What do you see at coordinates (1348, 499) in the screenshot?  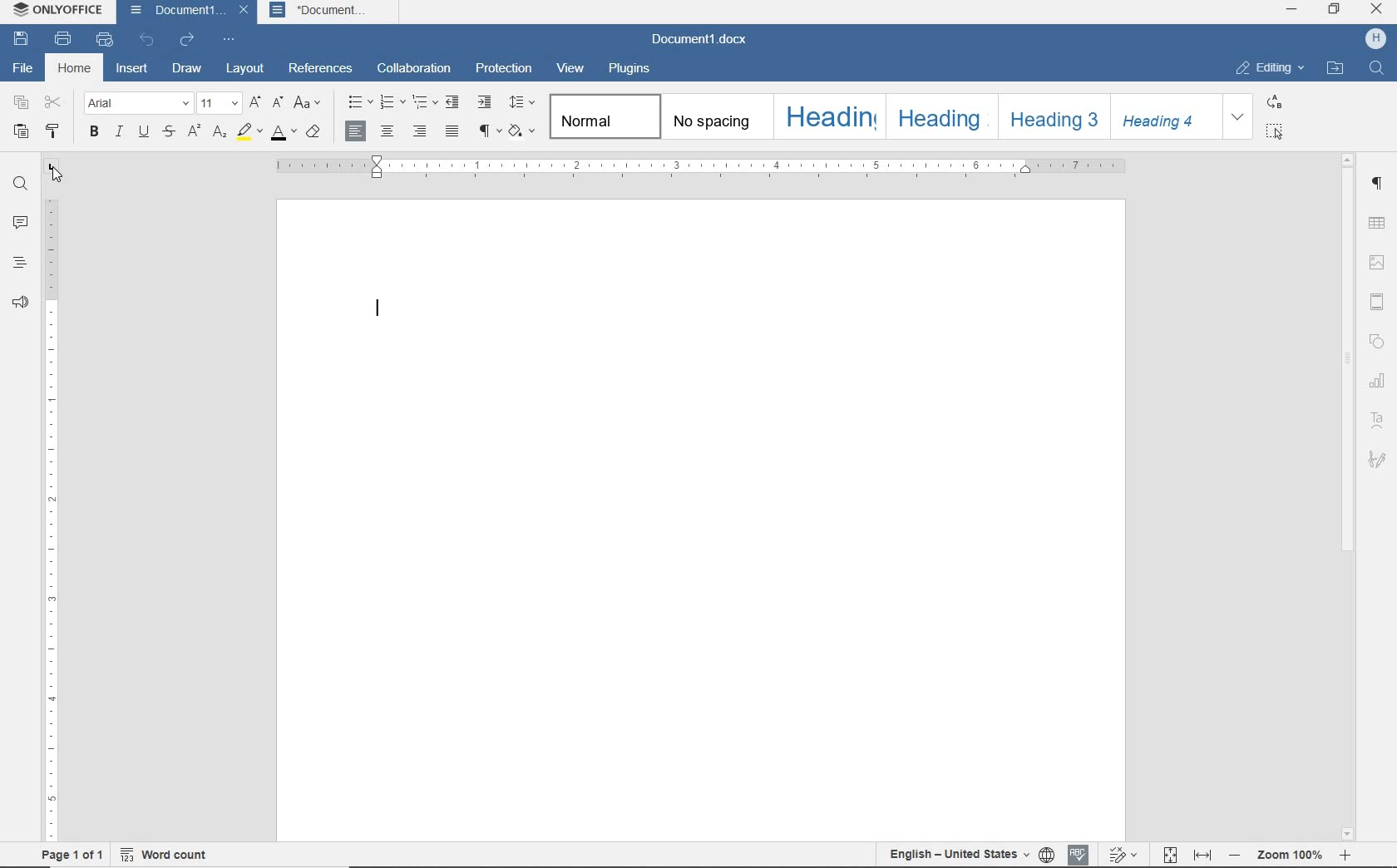 I see `SCROLLBAR` at bounding box center [1348, 499].